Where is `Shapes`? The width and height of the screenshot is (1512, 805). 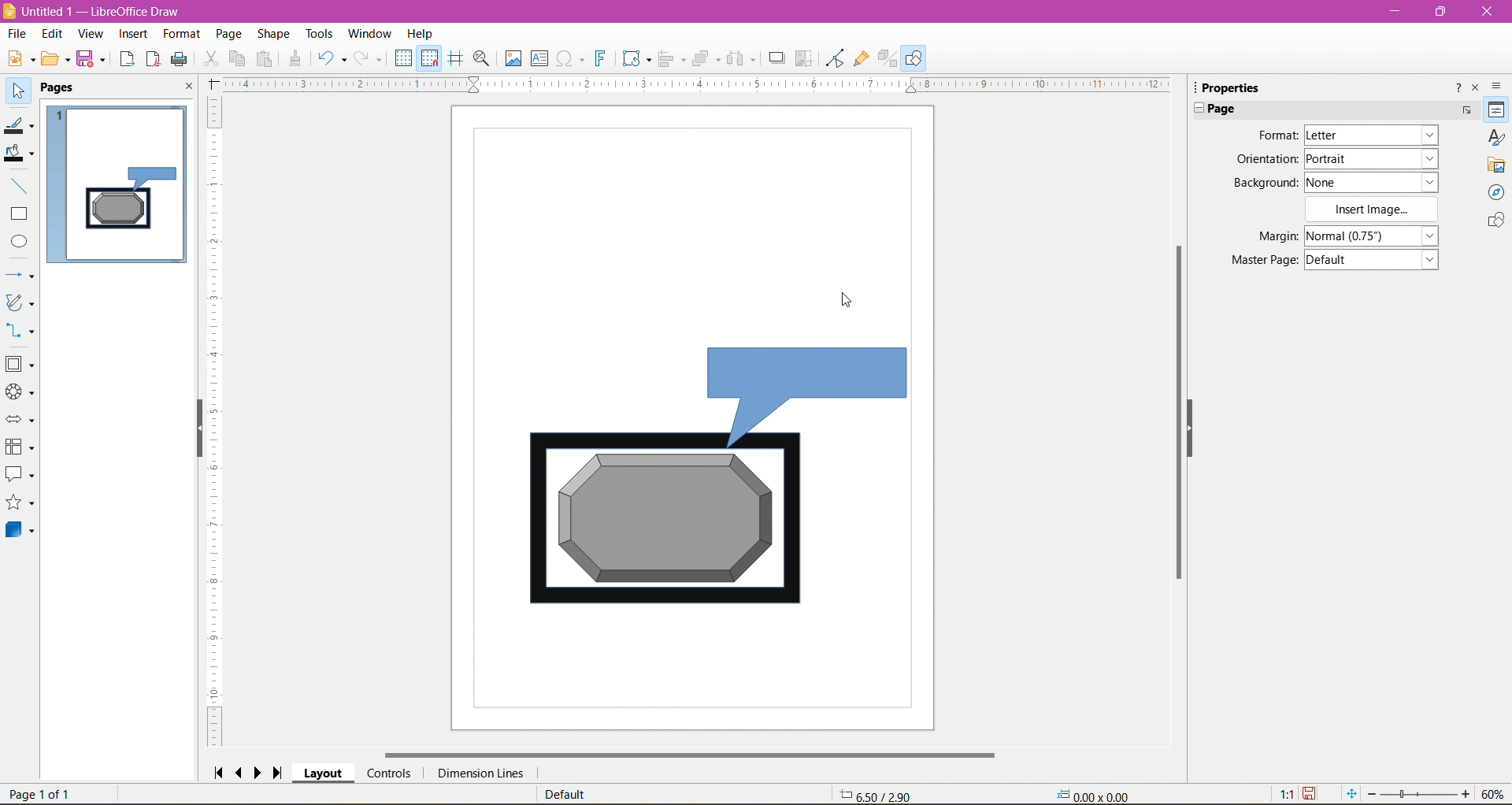
Shapes is located at coordinates (1494, 222).